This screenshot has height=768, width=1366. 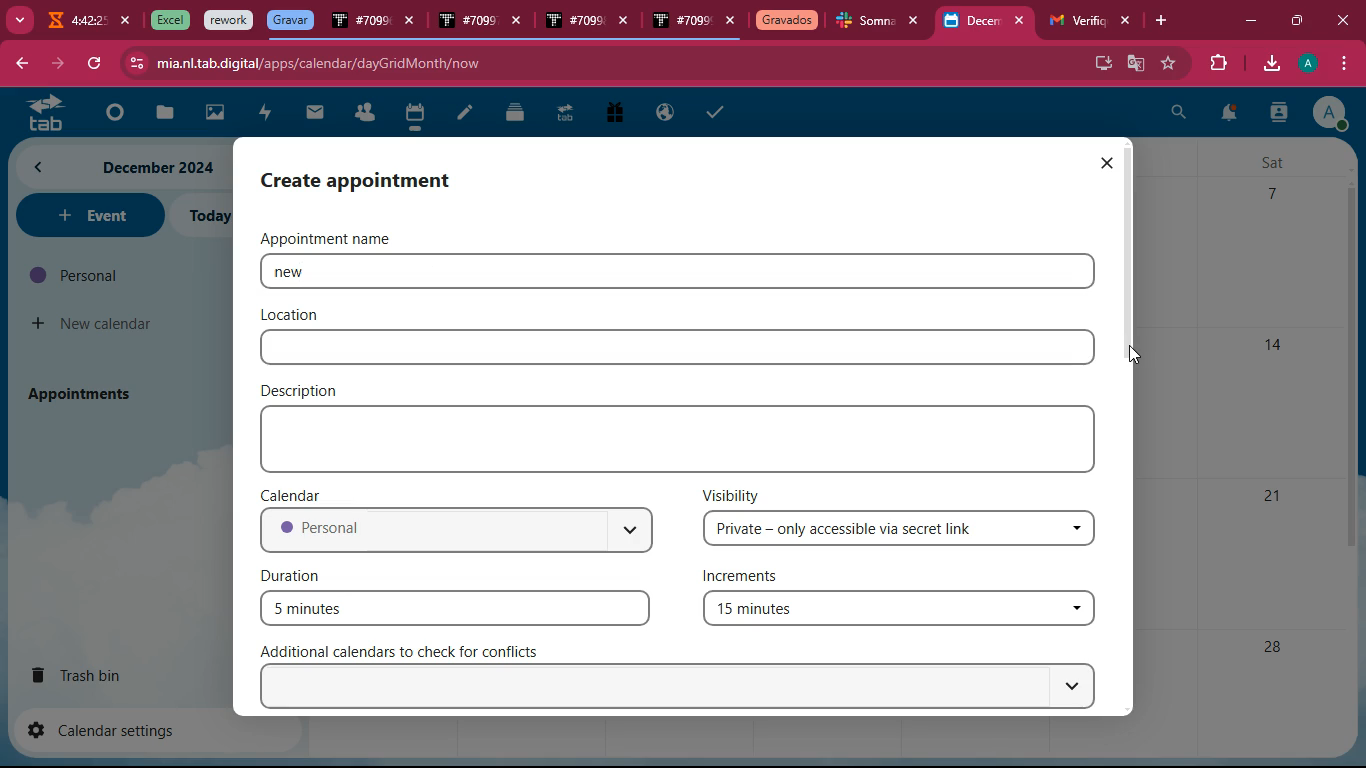 What do you see at coordinates (74, 23) in the screenshot?
I see `tab` at bounding box center [74, 23].